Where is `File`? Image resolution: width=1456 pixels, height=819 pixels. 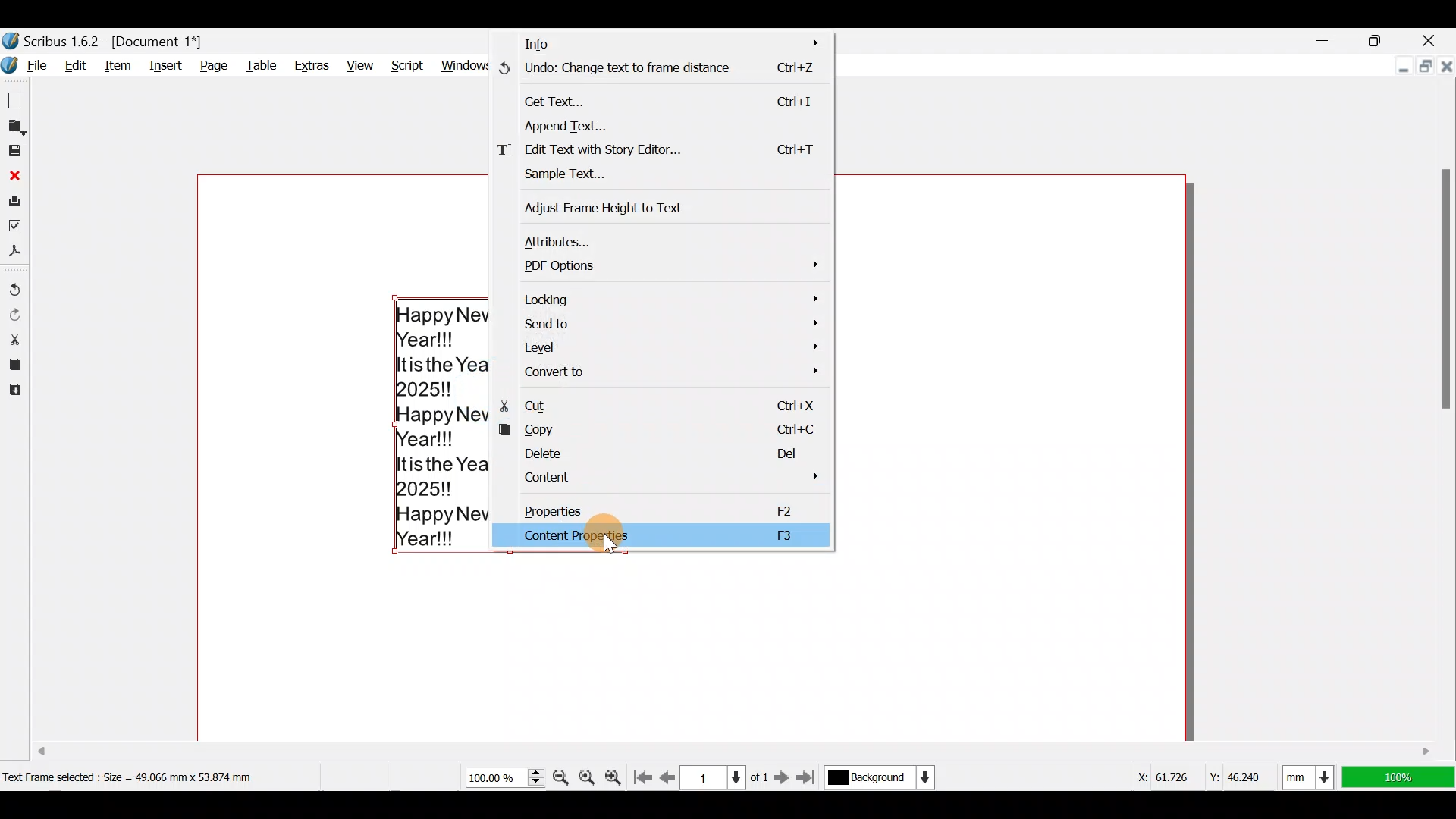
File is located at coordinates (28, 67).